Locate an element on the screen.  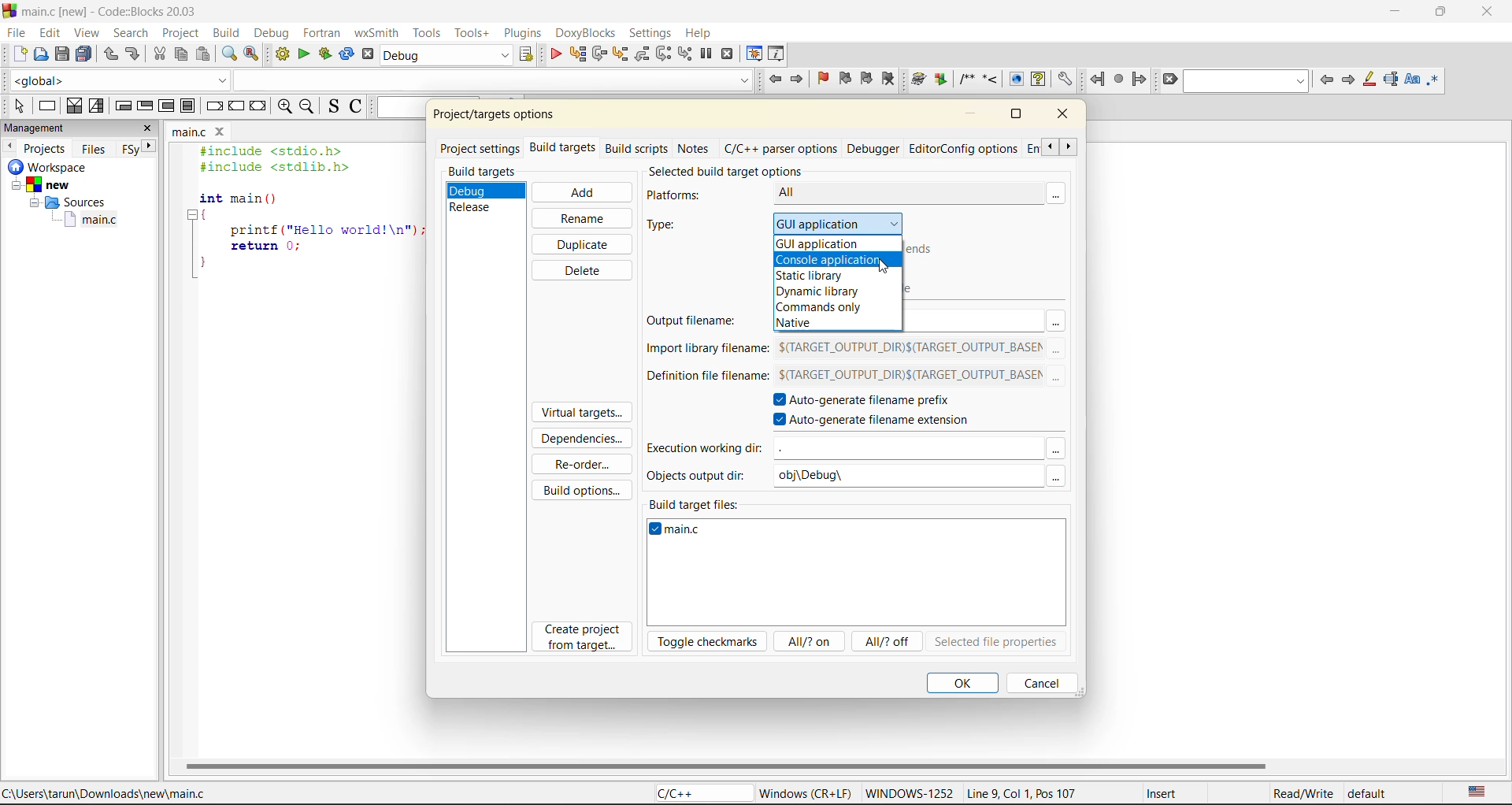
all/?off is located at coordinates (889, 643).